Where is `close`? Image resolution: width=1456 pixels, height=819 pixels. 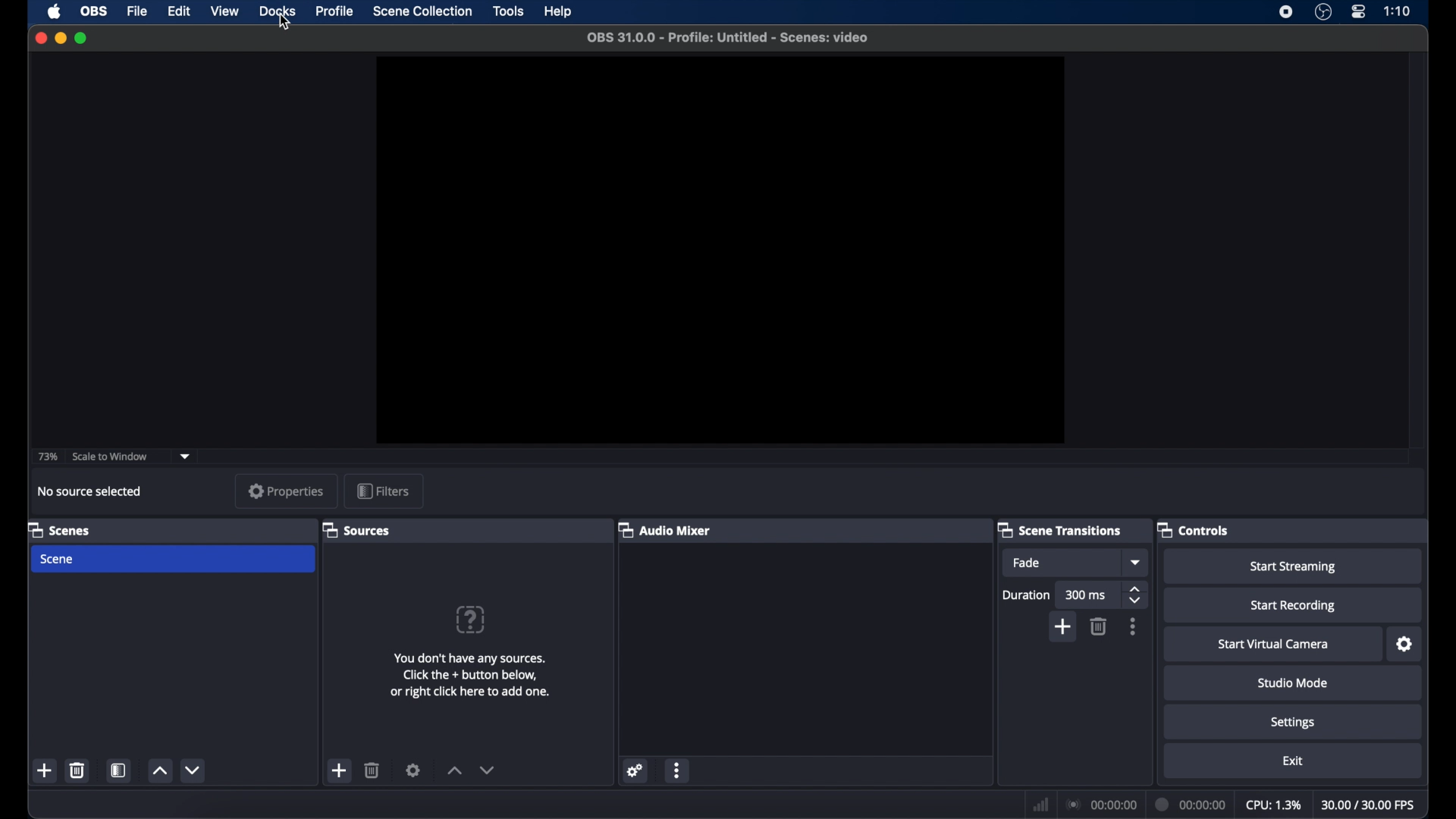 close is located at coordinates (40, 37).